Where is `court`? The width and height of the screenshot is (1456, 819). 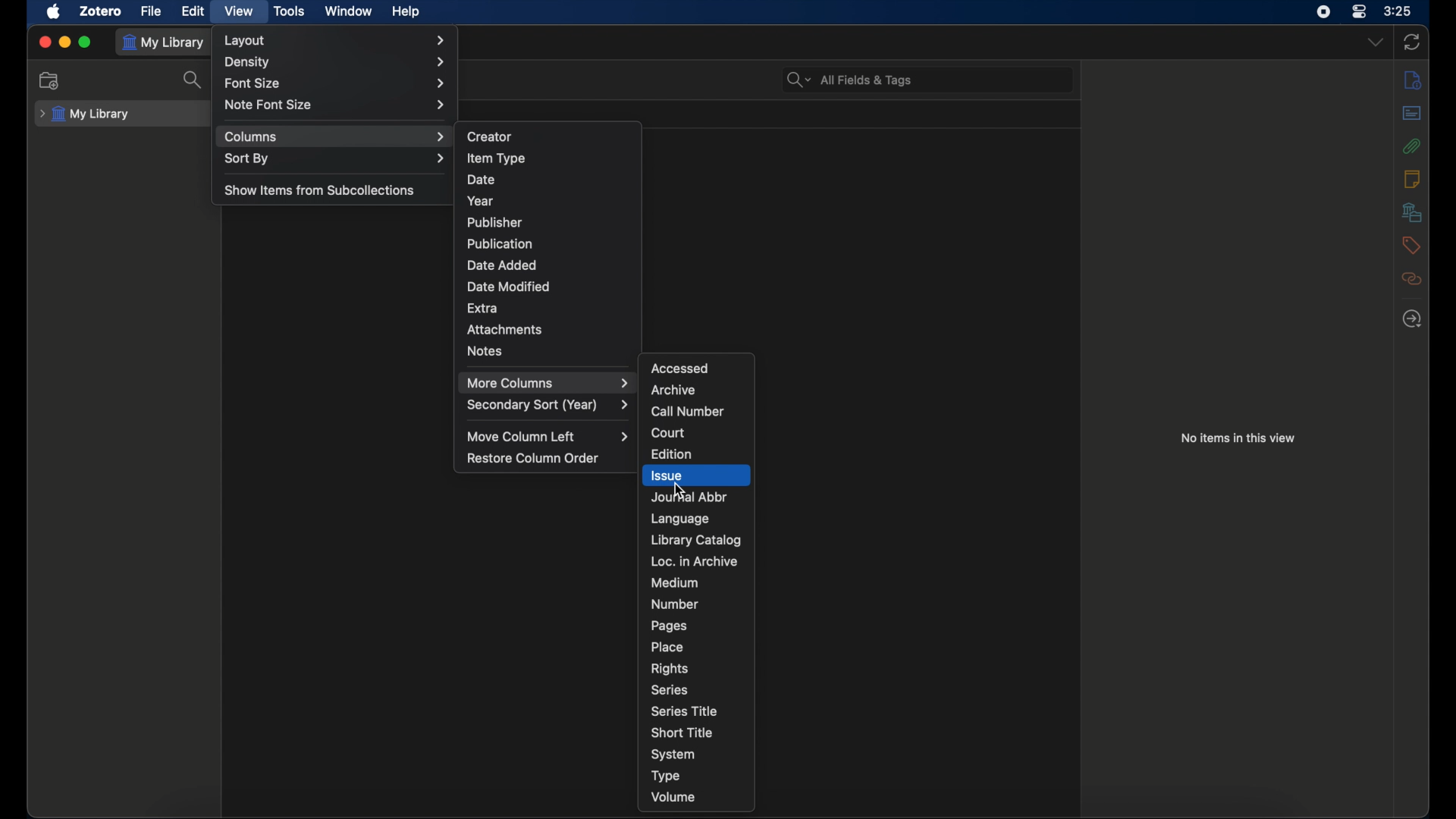
court is located at coordinates (668, 432).